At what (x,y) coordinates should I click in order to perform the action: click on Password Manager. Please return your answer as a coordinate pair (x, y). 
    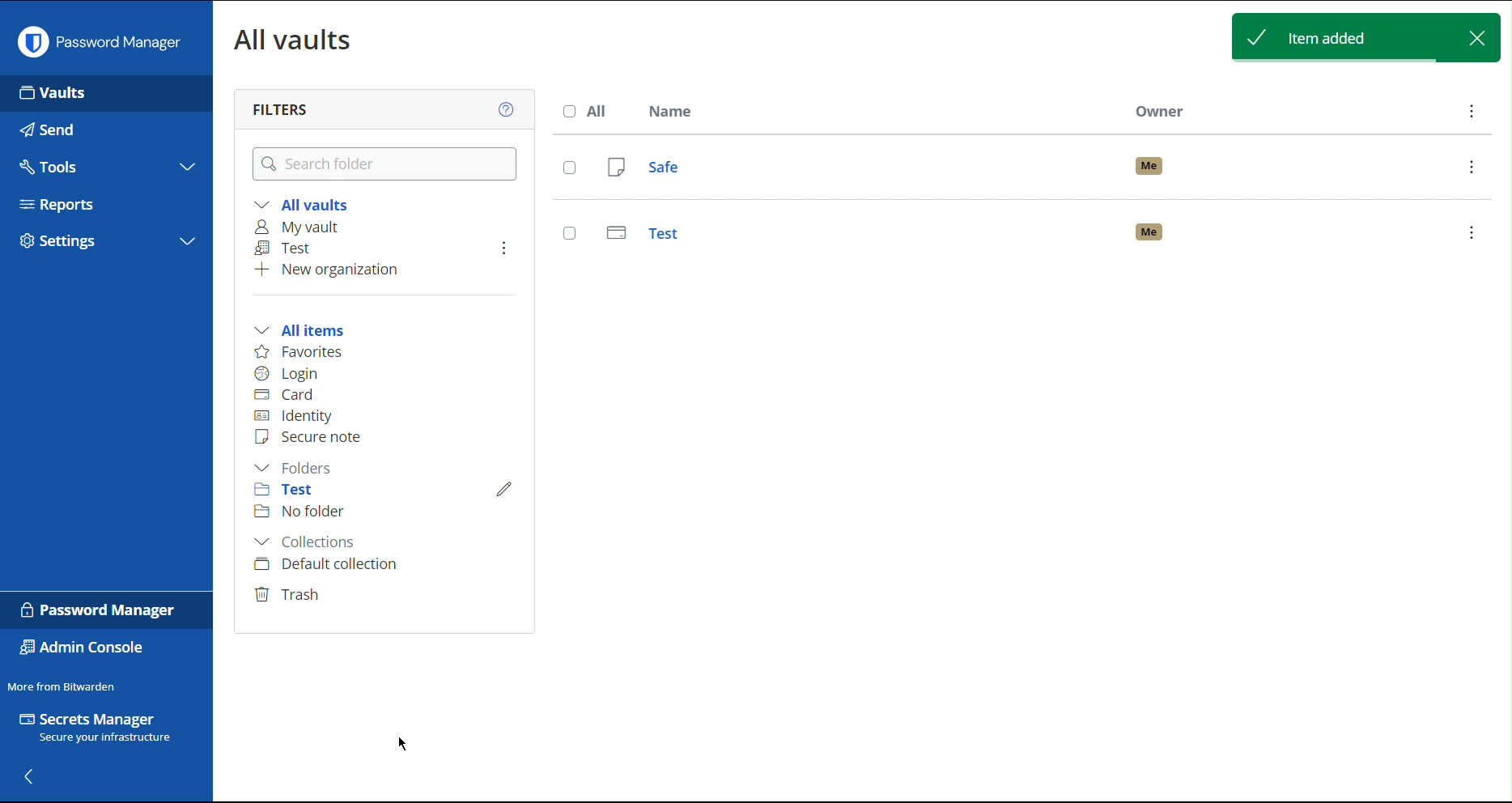
    Looking at the image, I should click on (100, 610).